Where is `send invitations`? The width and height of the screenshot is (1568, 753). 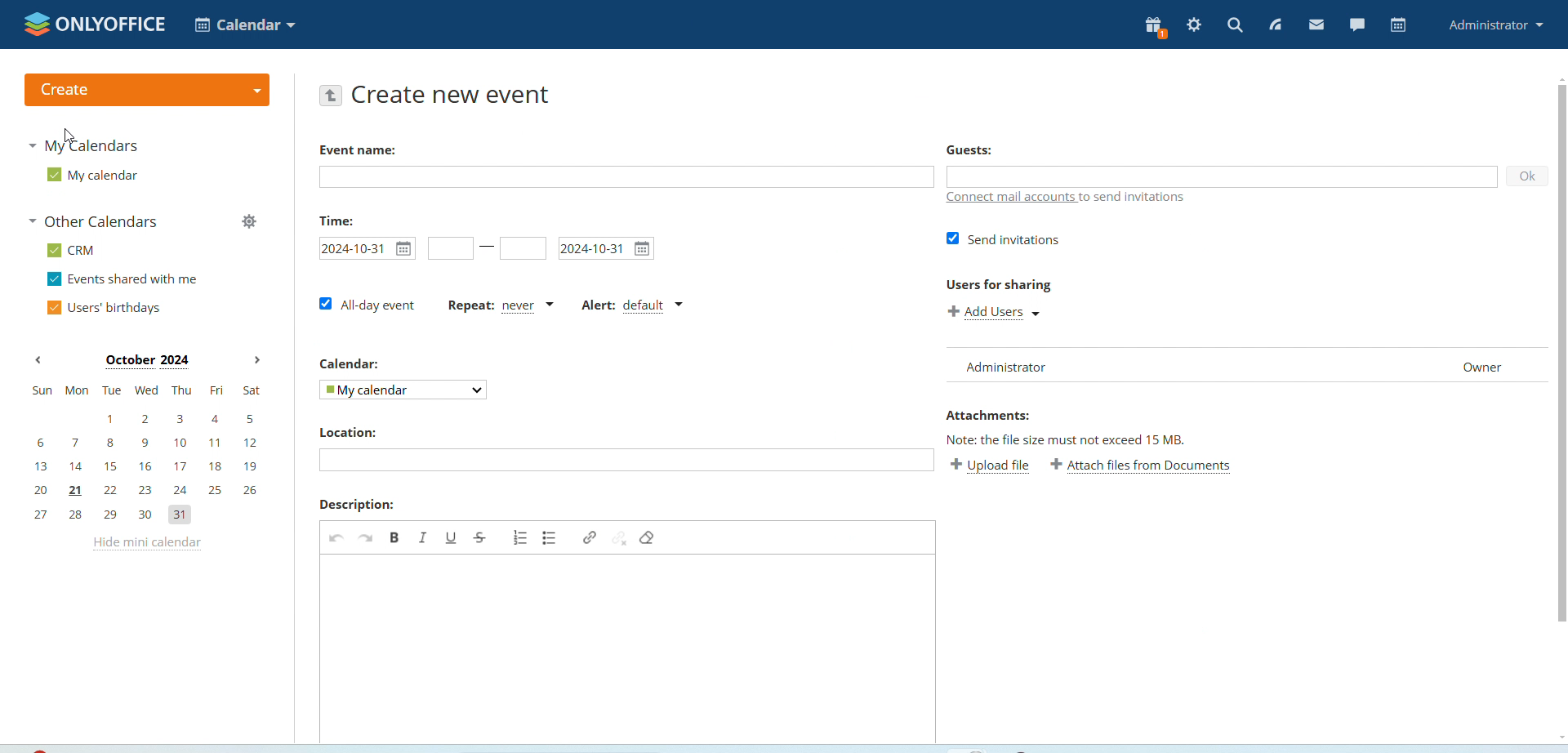 send invitations is located at coordinates (1001, 238).